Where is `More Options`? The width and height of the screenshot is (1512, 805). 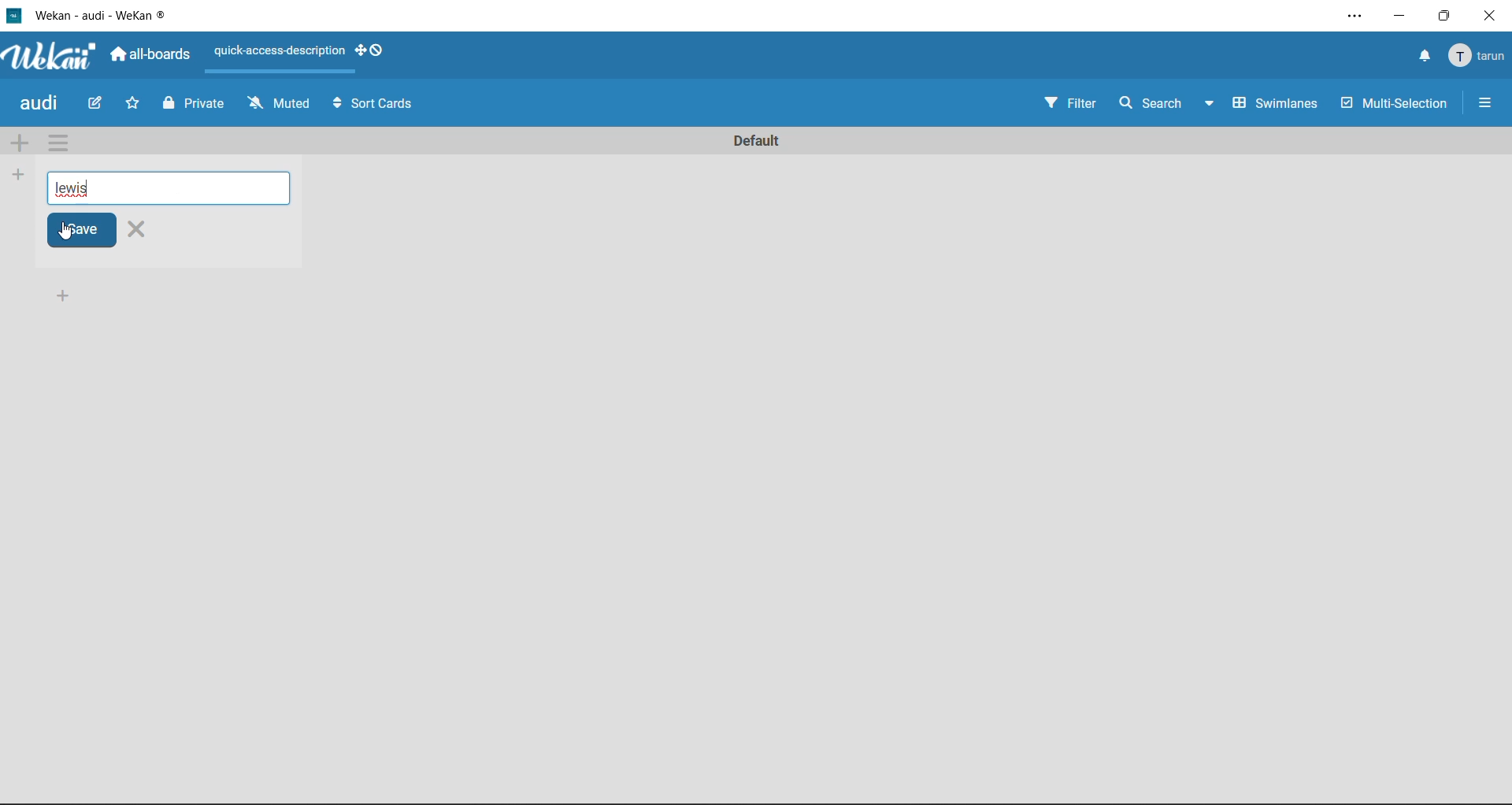
More Options is located at coordinates (1489, 102).